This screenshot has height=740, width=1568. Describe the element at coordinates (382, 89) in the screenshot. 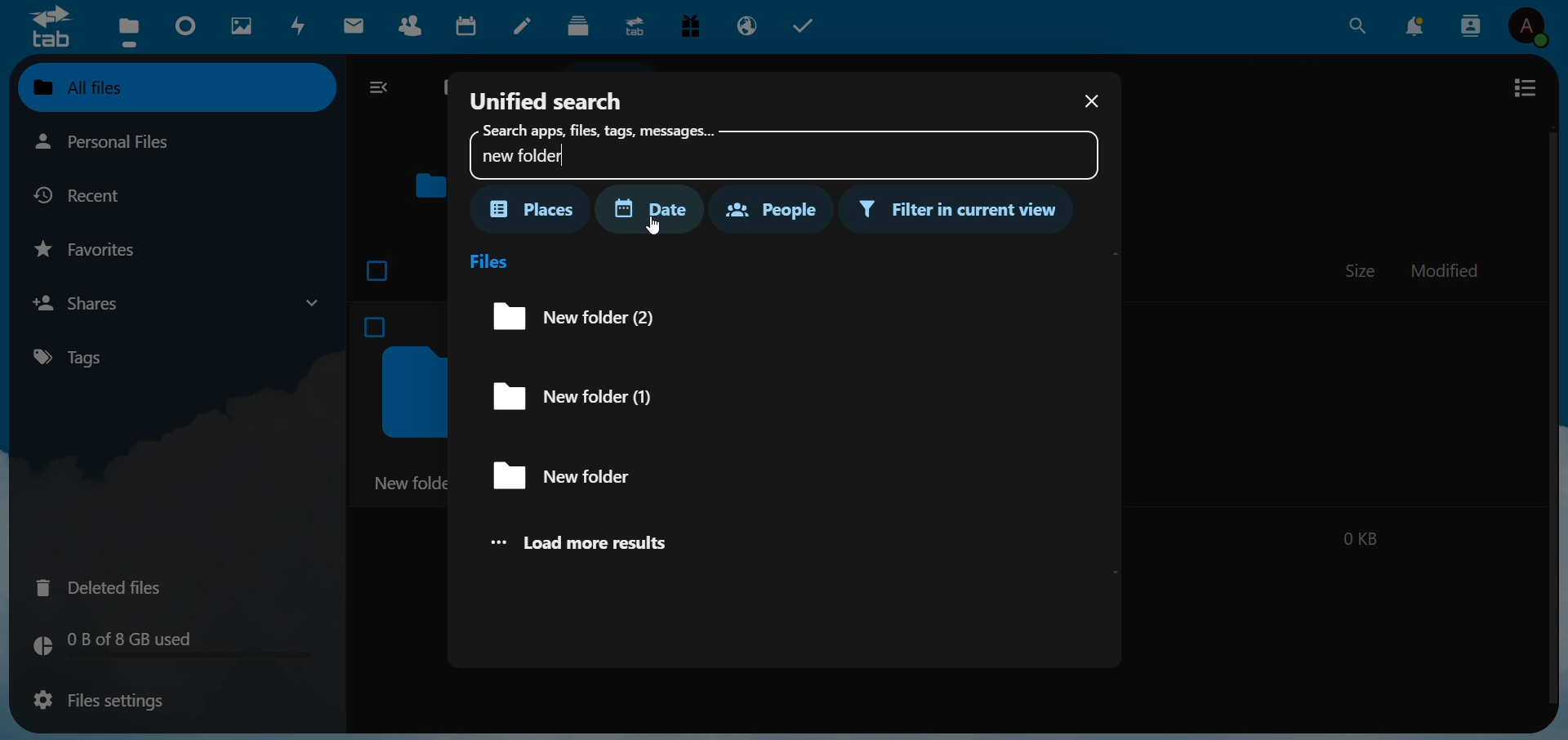

I see `collapse` at that location.